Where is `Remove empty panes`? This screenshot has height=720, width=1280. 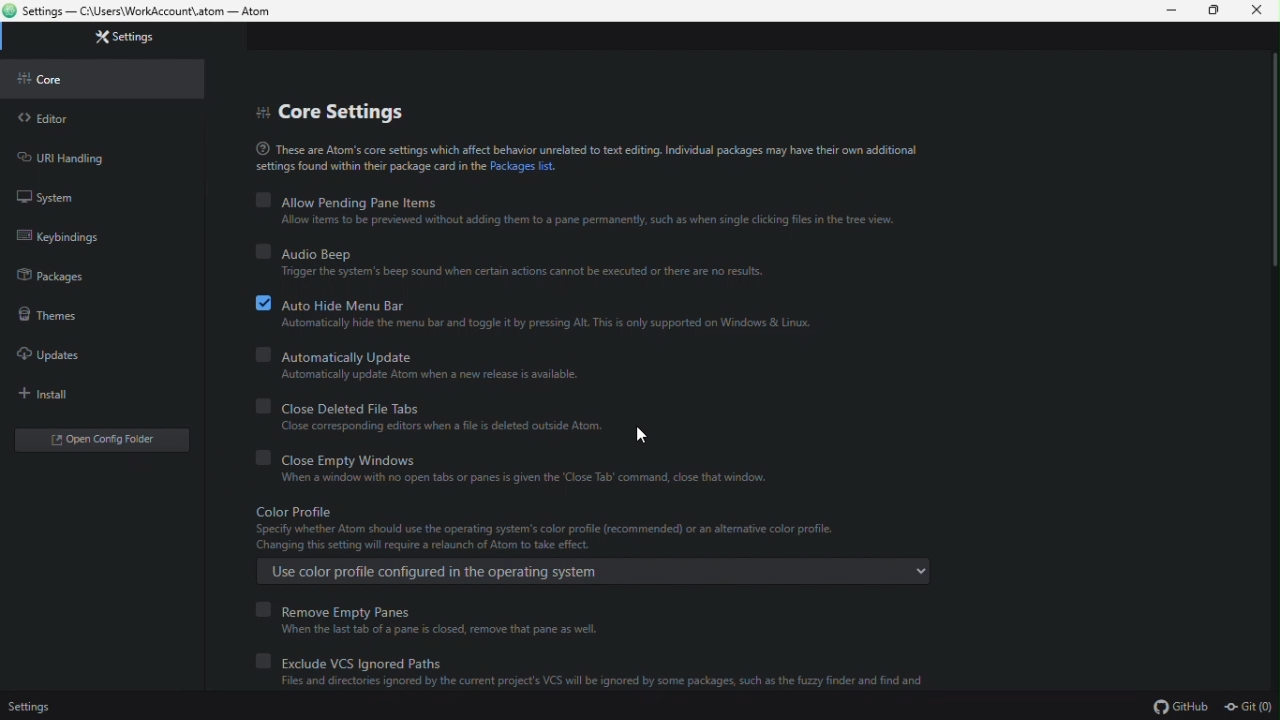 Remove empty panes is located at coordinates (429, 614).